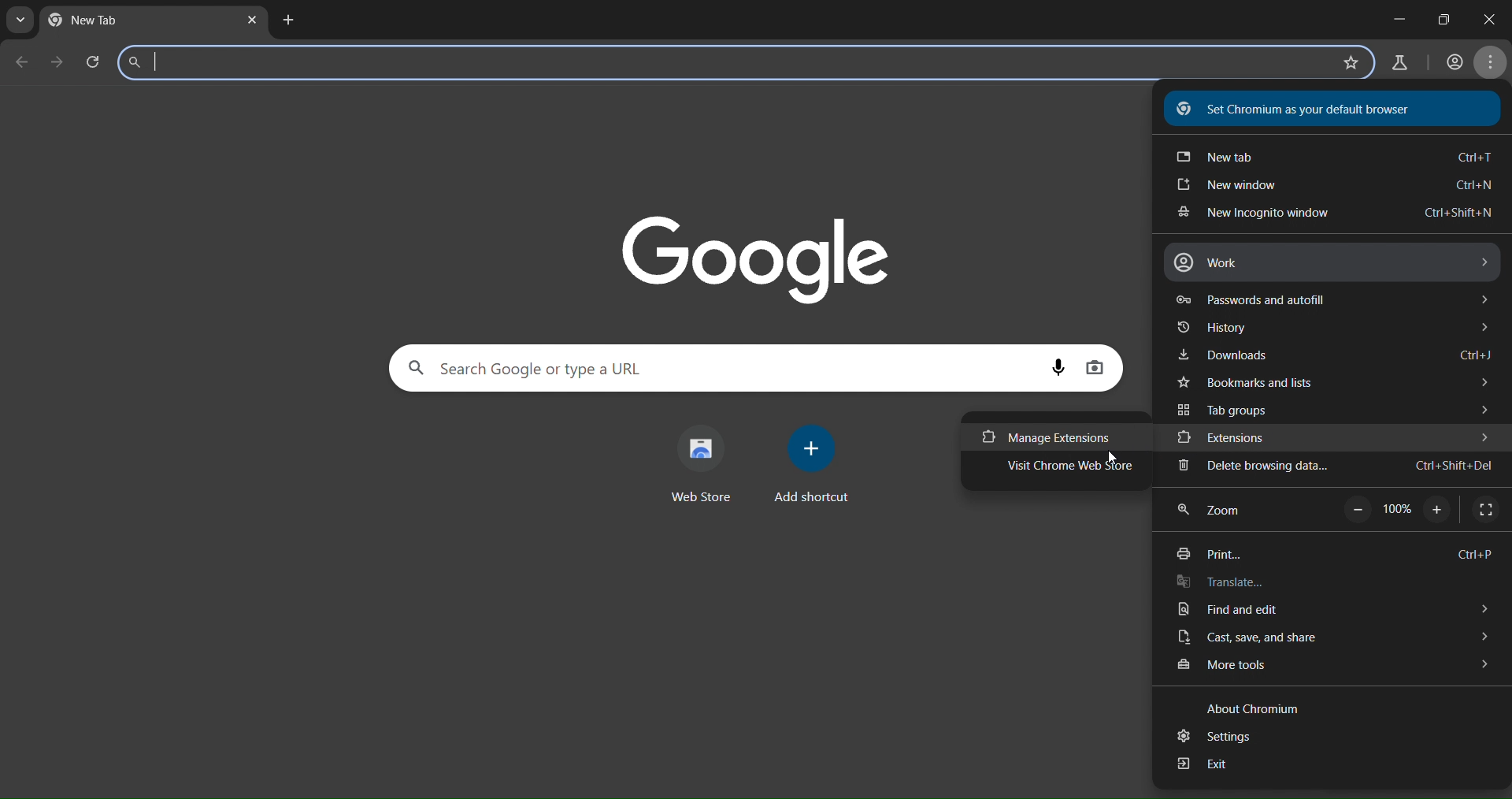 Image resolution: width=1512 pixels, height=799 pixels. Describe the element at coordinates (1455, 61) in the screenshot. I see `account` at that location.